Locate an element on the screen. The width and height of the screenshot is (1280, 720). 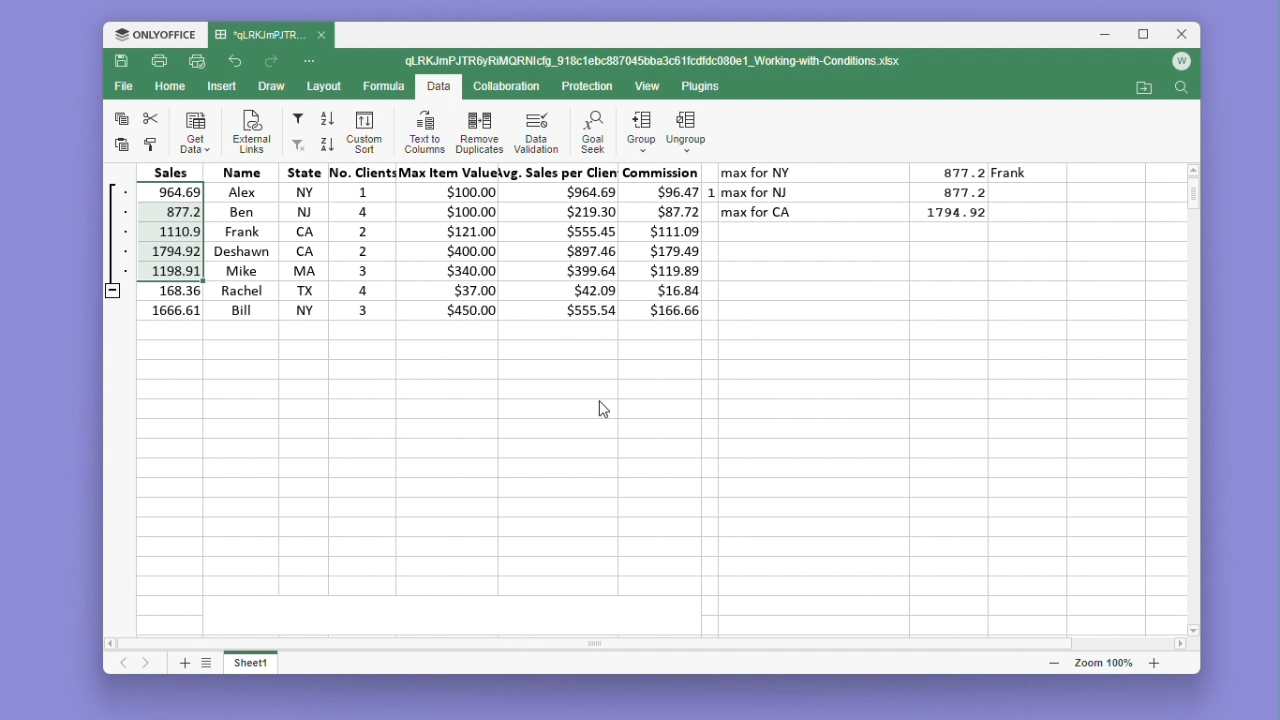
Close is located at coordinates (1184, 35).